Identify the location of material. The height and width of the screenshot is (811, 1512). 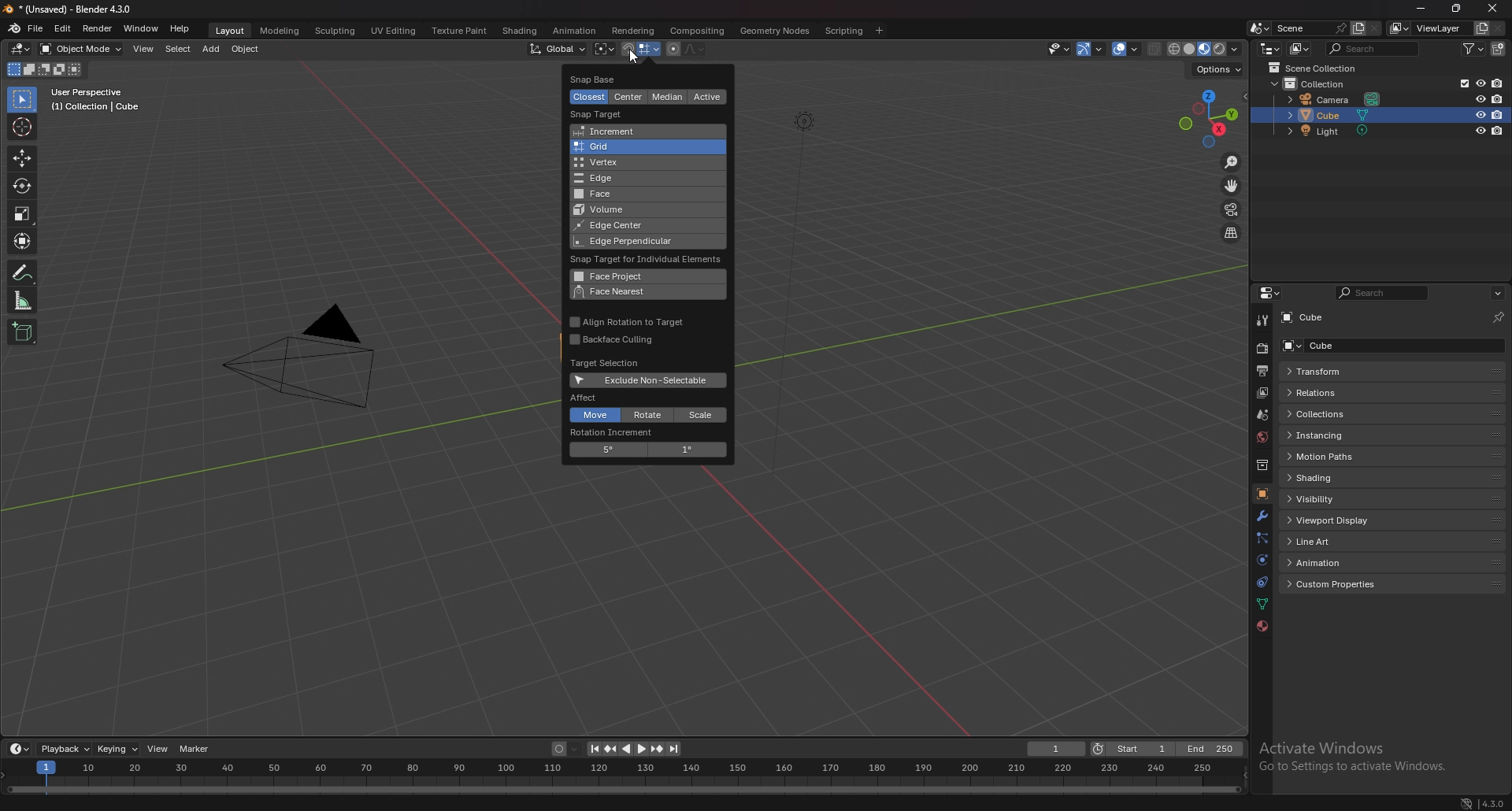
(1262, 627).